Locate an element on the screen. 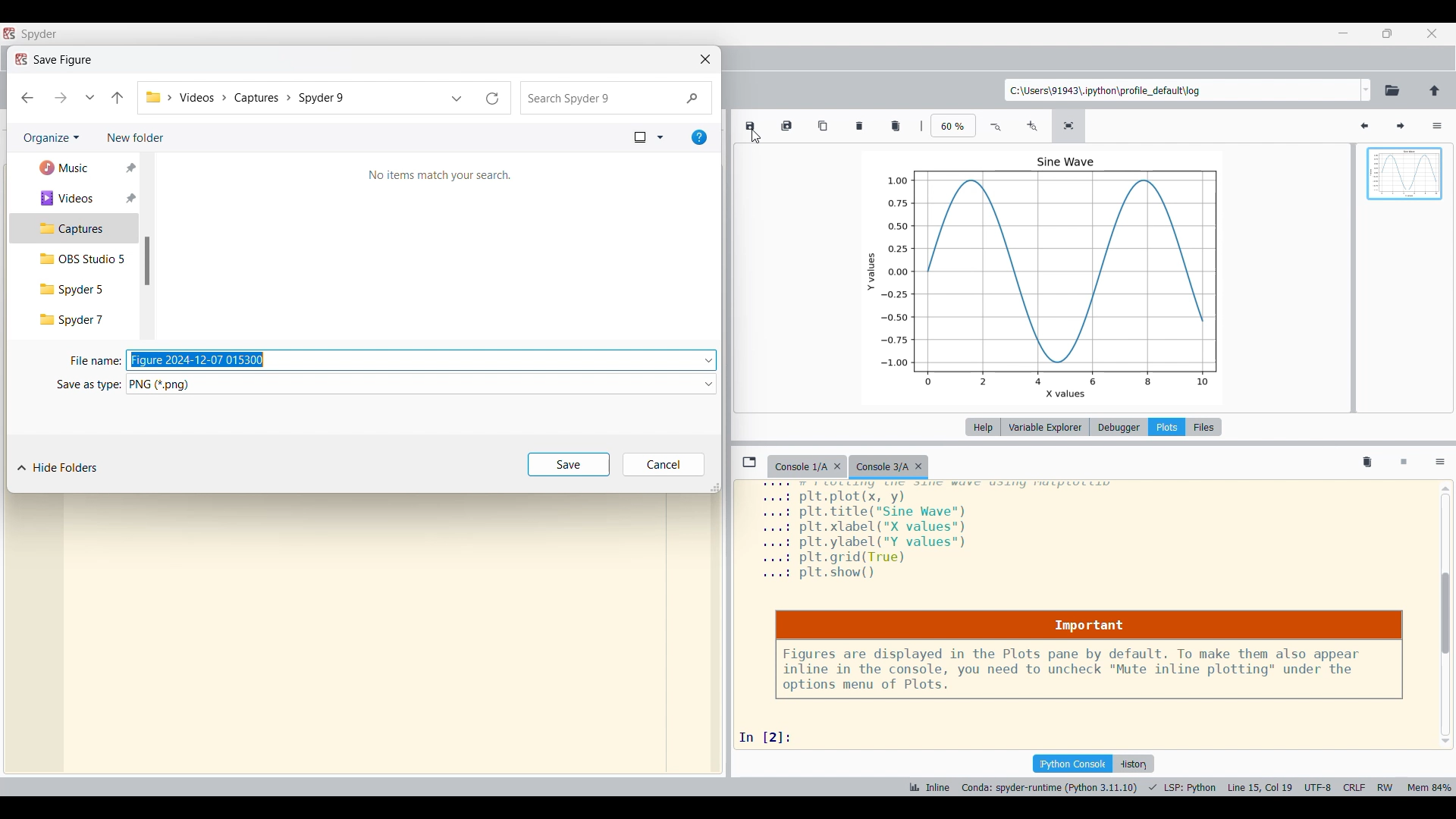 Image resolution: width=1456 pixels, height=819 pixels. Close is located at coordinates (705, 59).